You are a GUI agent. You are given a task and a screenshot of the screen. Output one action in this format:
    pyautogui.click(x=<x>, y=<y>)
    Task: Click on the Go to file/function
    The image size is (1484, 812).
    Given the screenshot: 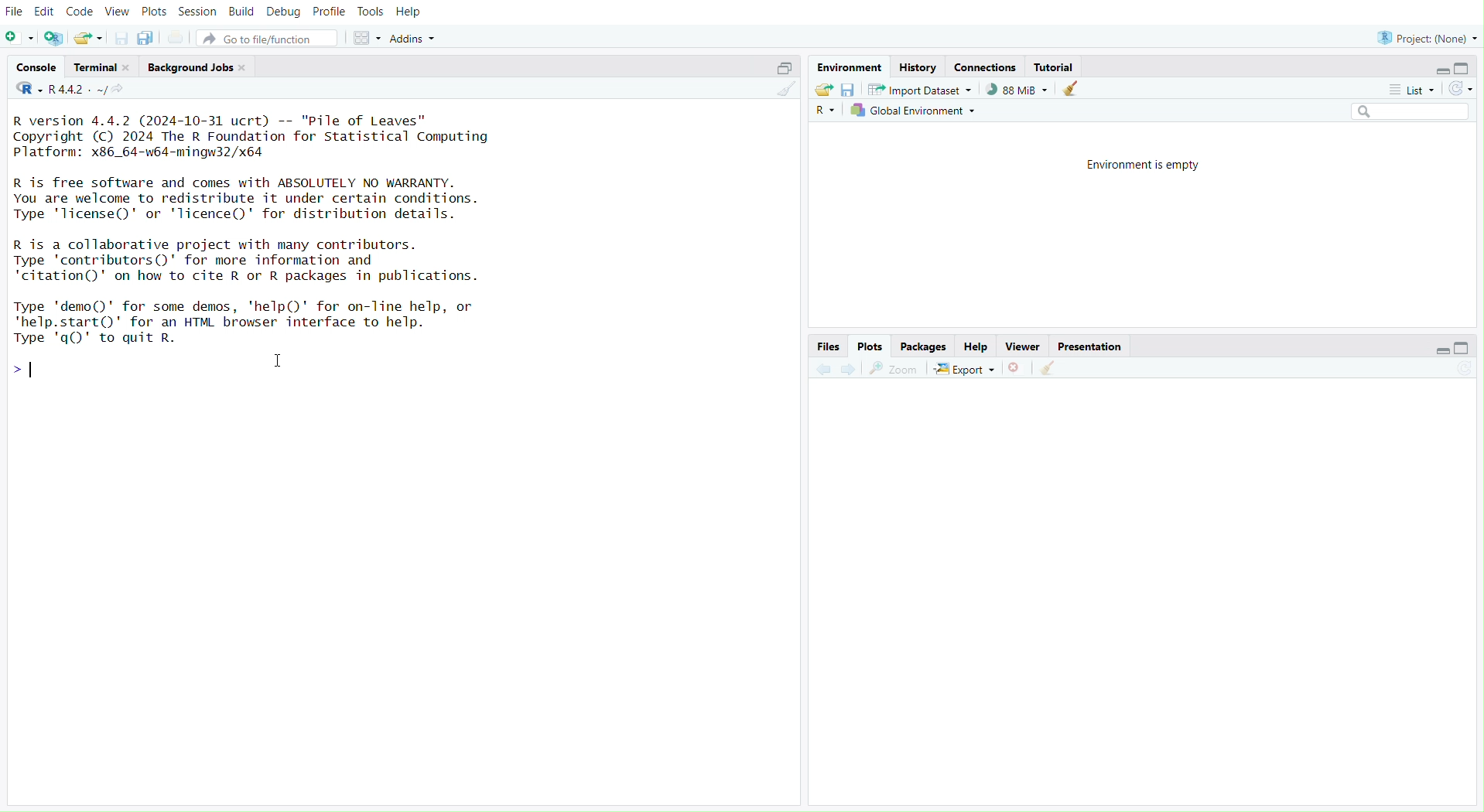 What is the action you would take?
    pyautogui.click(x=267, y=38)
    